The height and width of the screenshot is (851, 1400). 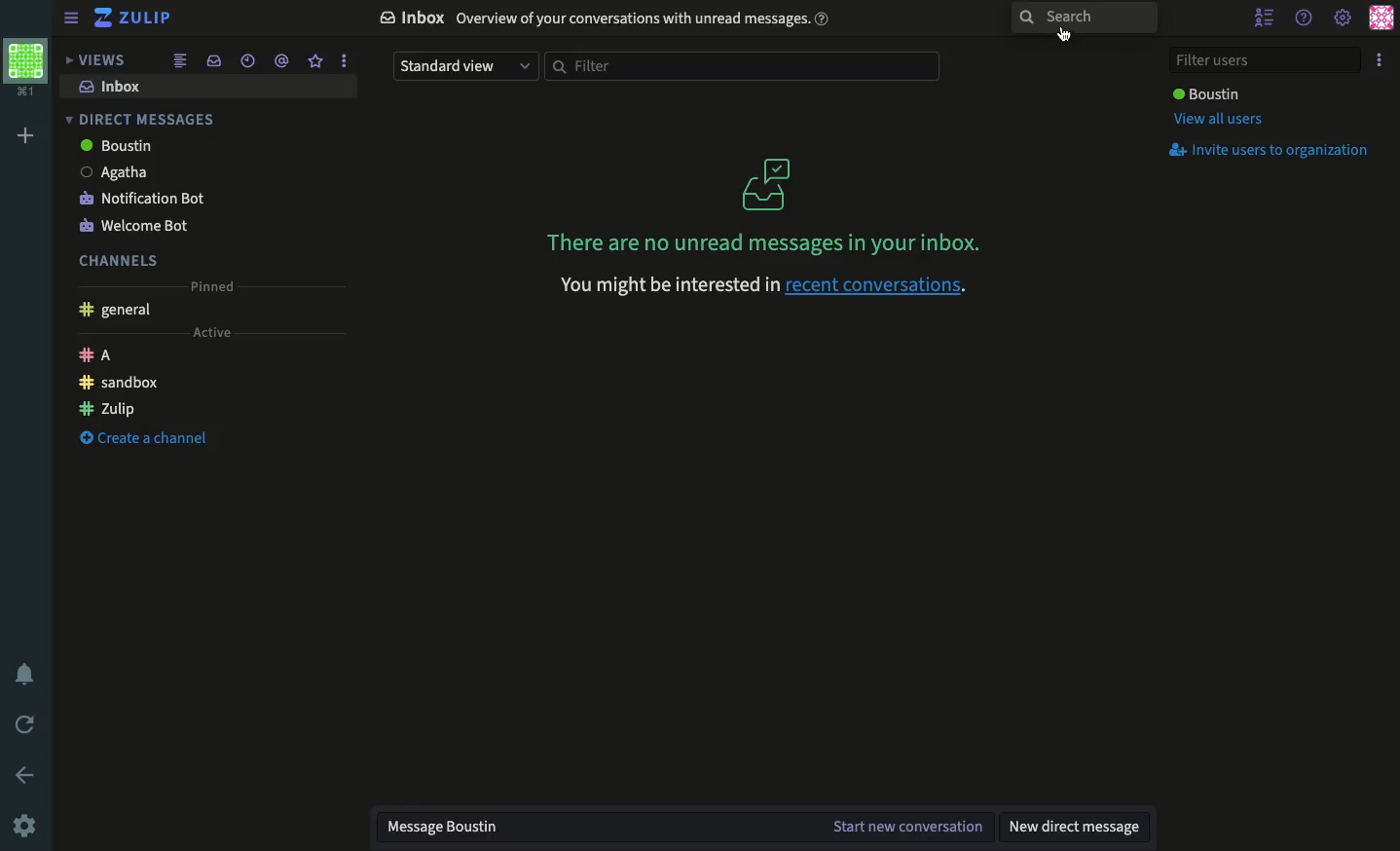 I want to click on Tagged, so click(x=280, y=61).